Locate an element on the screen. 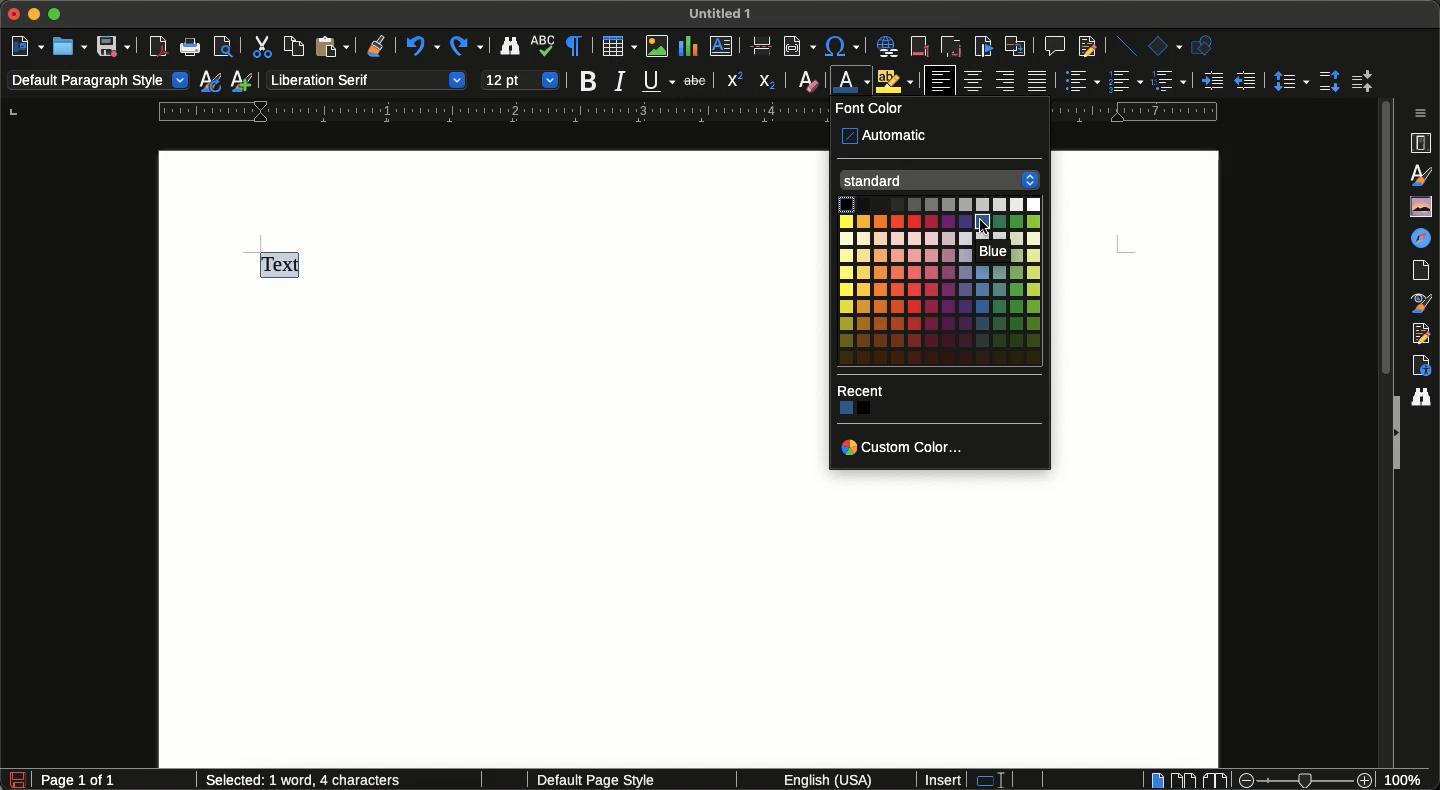 The height and width of the screenshot is (790, 1440). Insert image is located at coordinates (658, 46).